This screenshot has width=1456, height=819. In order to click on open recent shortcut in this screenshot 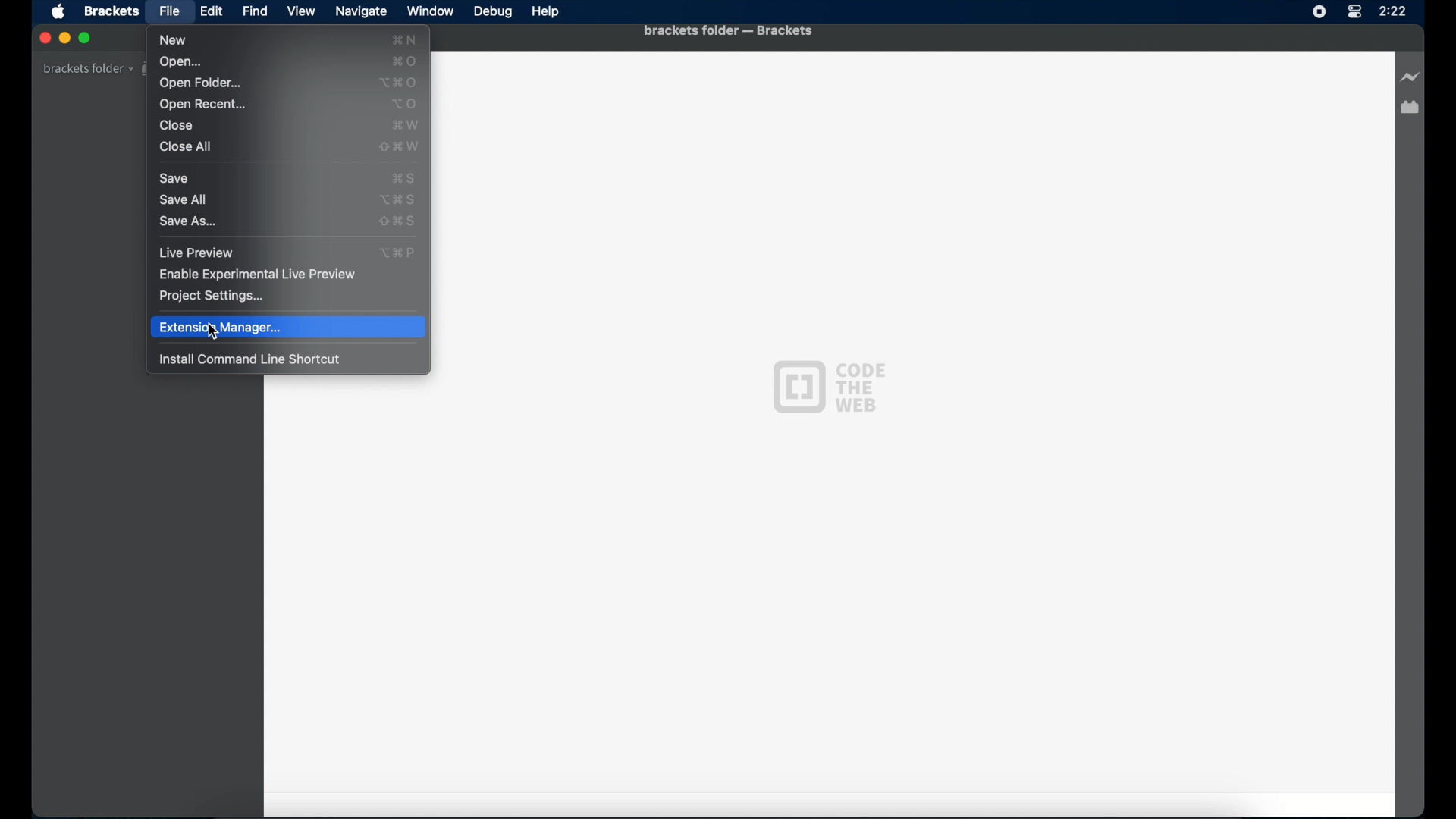, I will do `click(404, 105)`.